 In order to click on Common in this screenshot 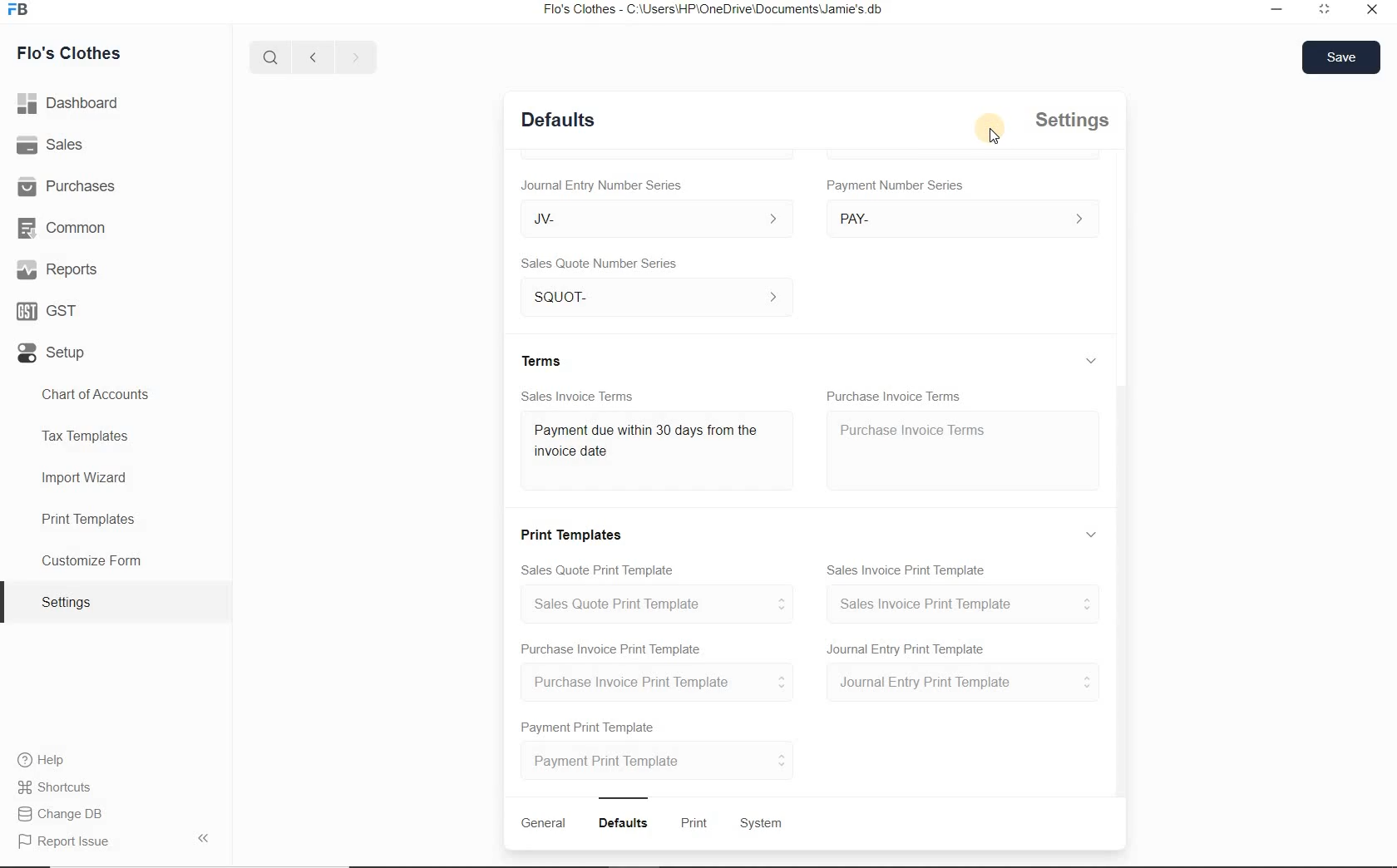, I will do `click(61, 228)`.